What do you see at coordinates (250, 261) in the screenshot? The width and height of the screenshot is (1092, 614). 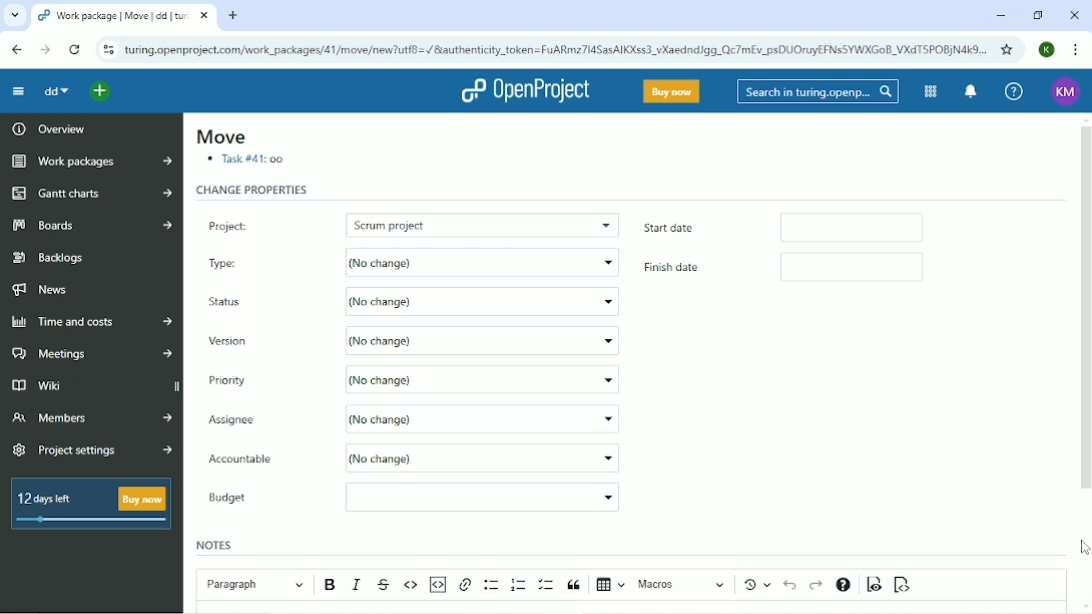 I see `Type` at bounding box center [250, 261].